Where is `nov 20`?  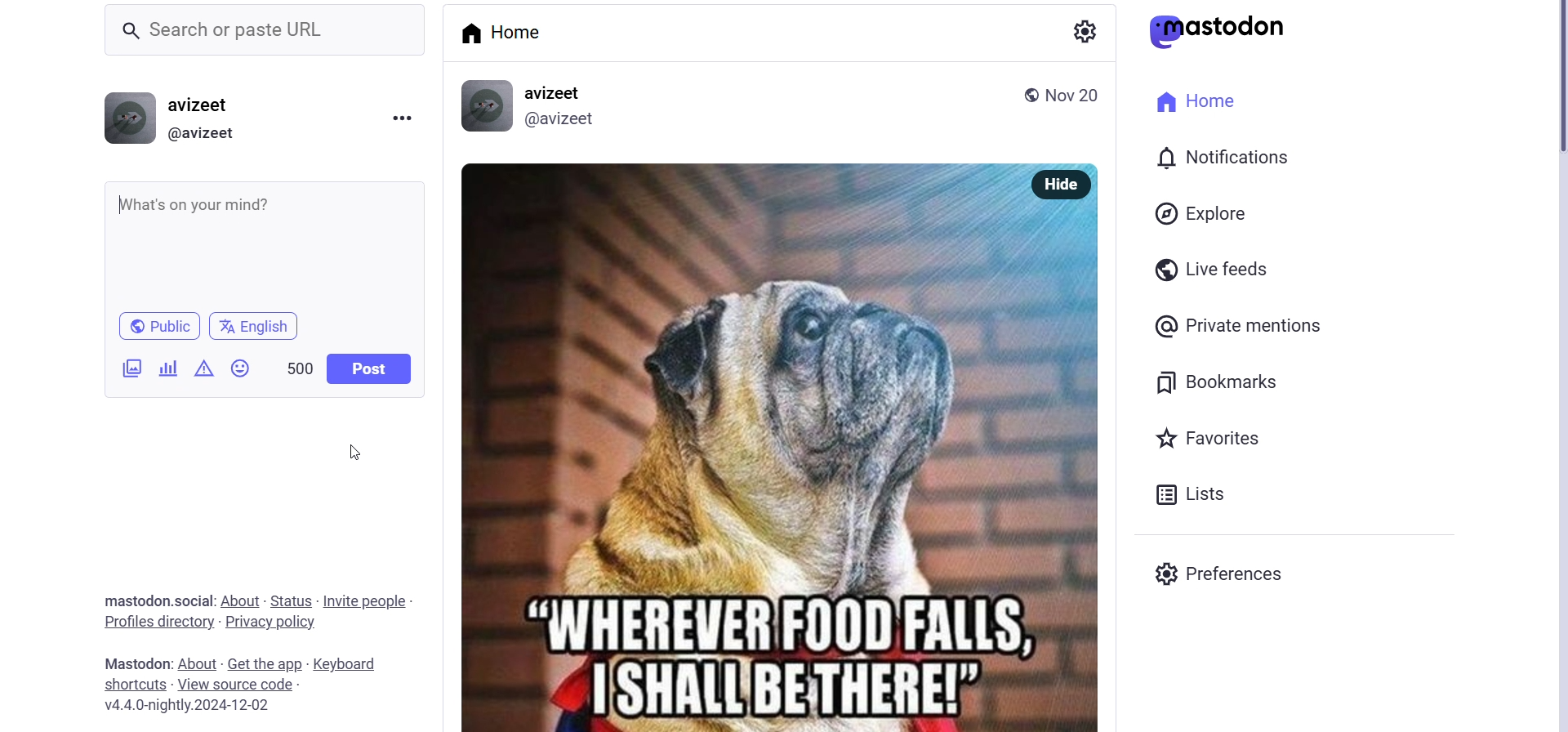
nov 20 is located at coordinates (1073, 93).